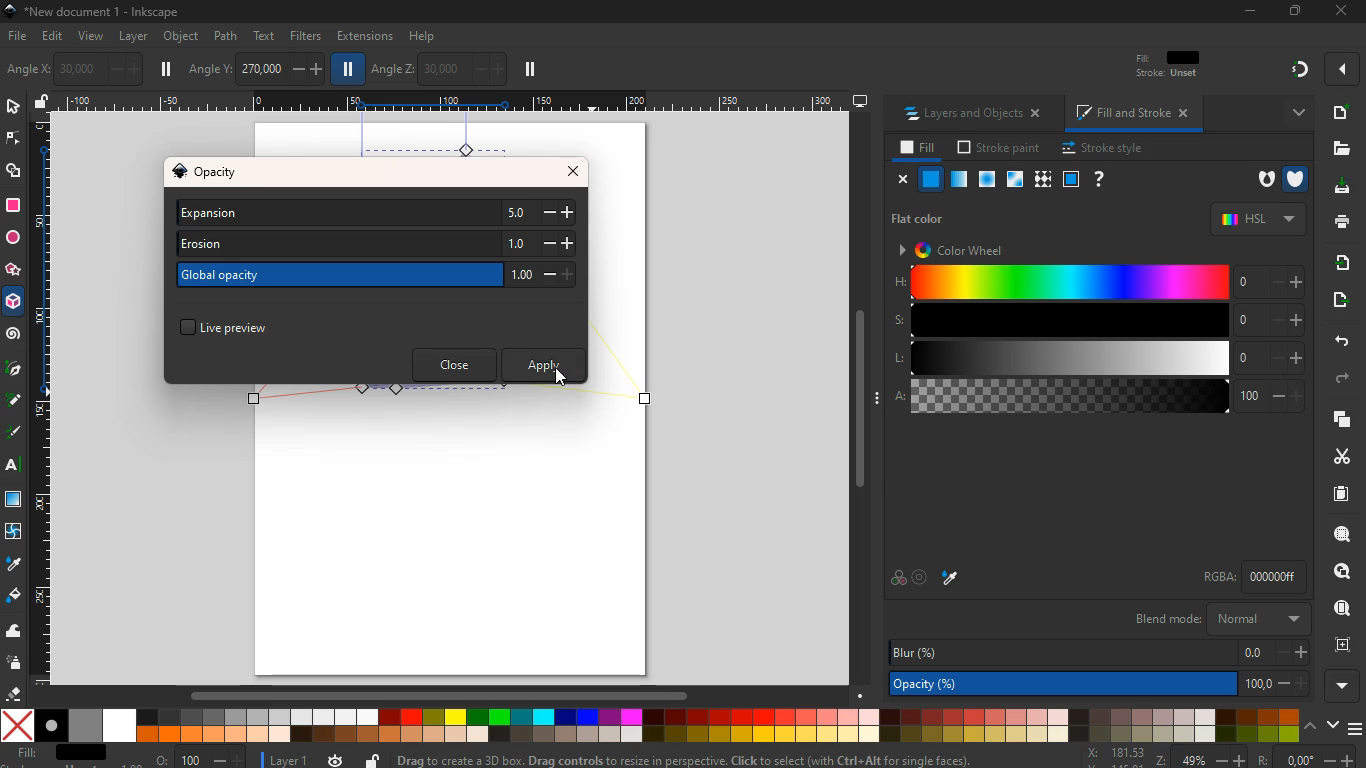  Describe the element at coordinates (133, 36) in the screenshot. I see `layer` at that location.